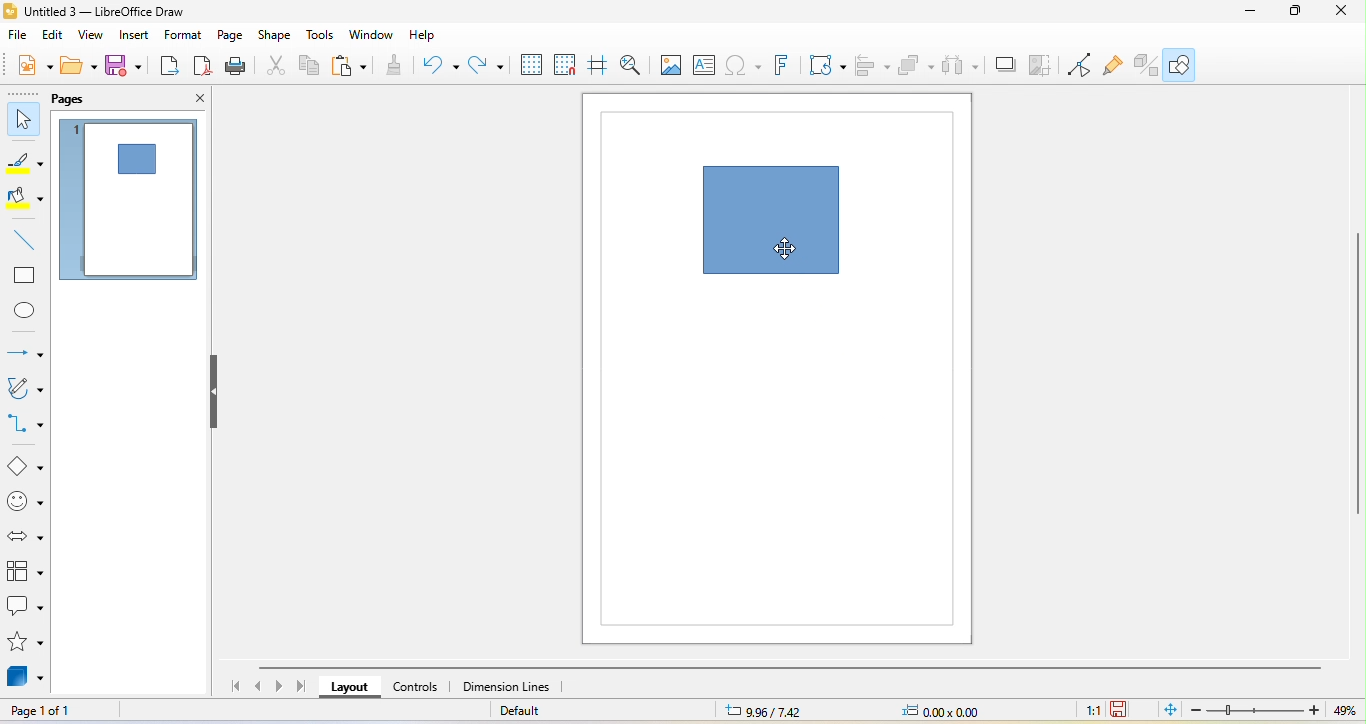 The image size is (1366, 724). I want to click on 9.96/7.42, so click(783, 711).